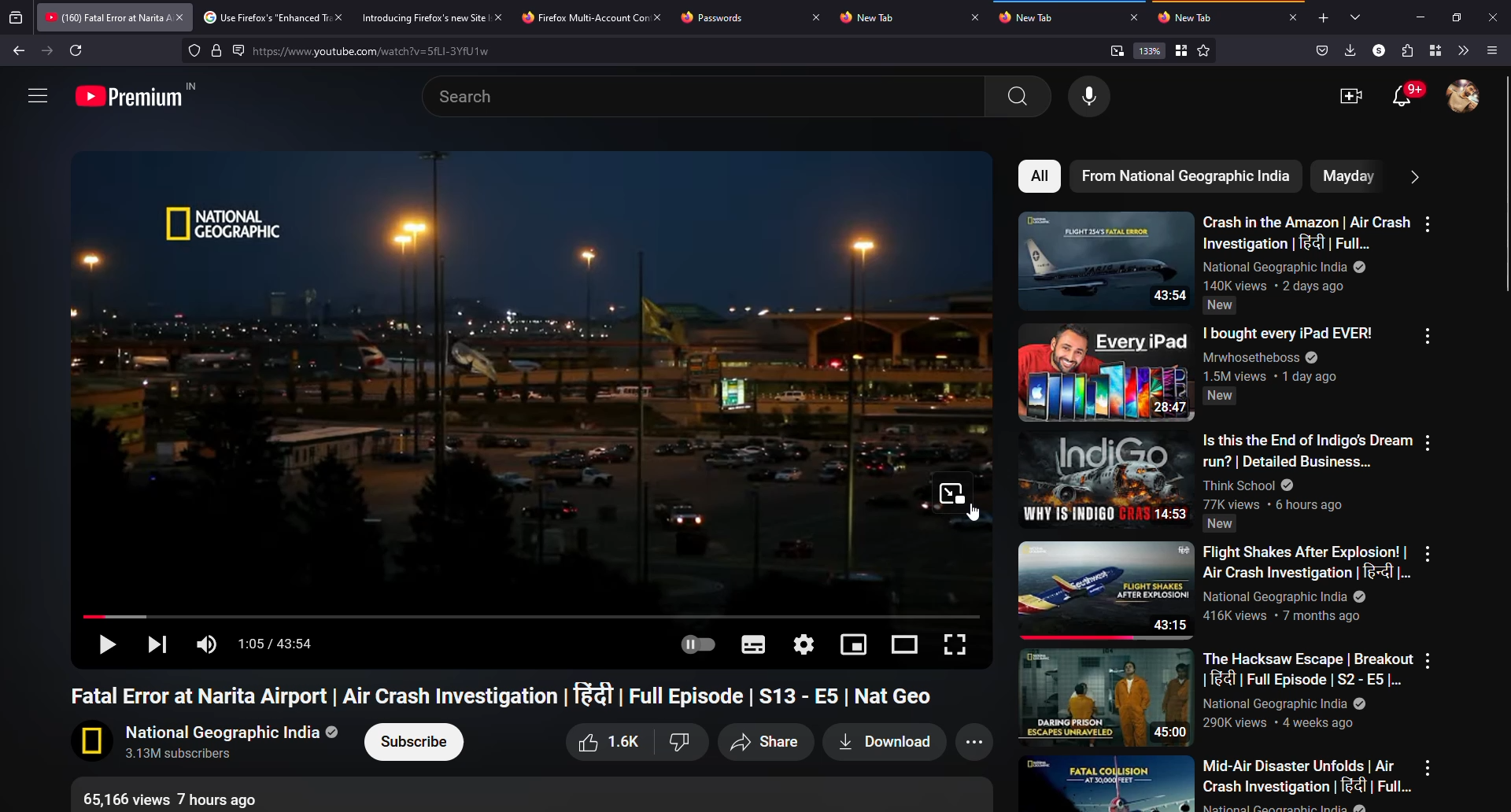 The width and height of the screenshot is (1511, 812). What do you see at coordinates (281, 645) in the screenshot?
I see `time` at bounding box center [281, 645].